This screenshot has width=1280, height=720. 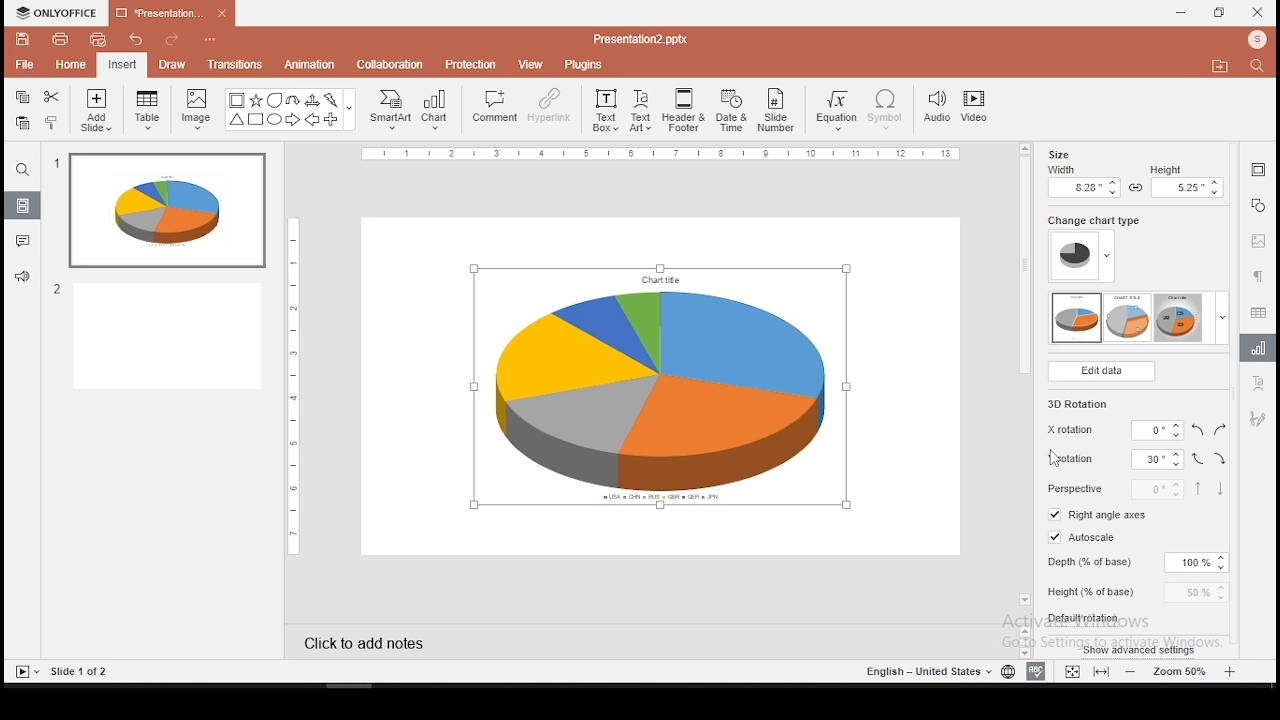 I want to click on hyperlink, so click(x=547, y=107).